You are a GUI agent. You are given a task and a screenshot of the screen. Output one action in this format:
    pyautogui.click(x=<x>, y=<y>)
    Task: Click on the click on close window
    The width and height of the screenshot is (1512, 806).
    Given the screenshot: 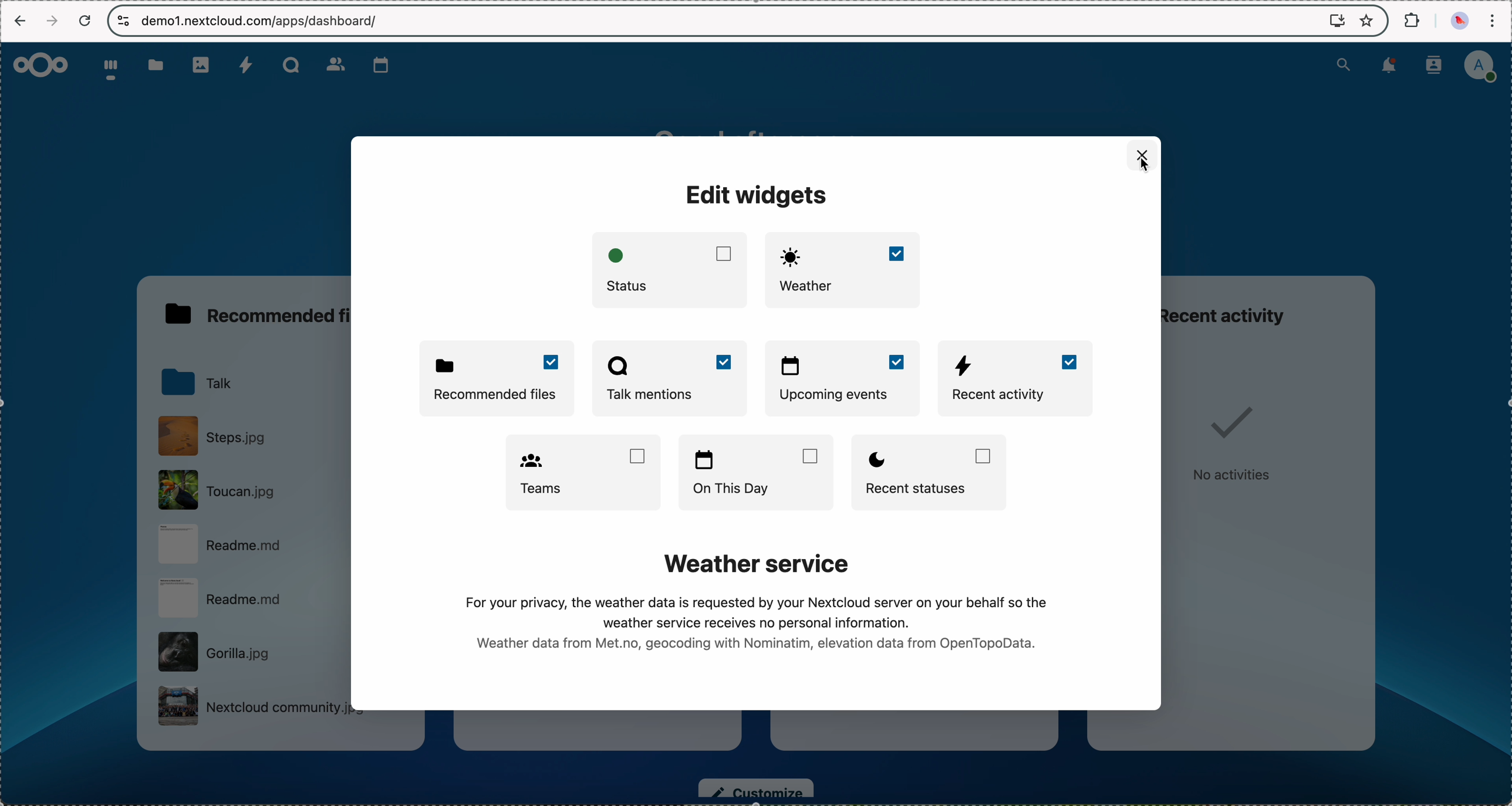 What is the action you would take?
    pyautogui.click(x=1139, y=150)
    